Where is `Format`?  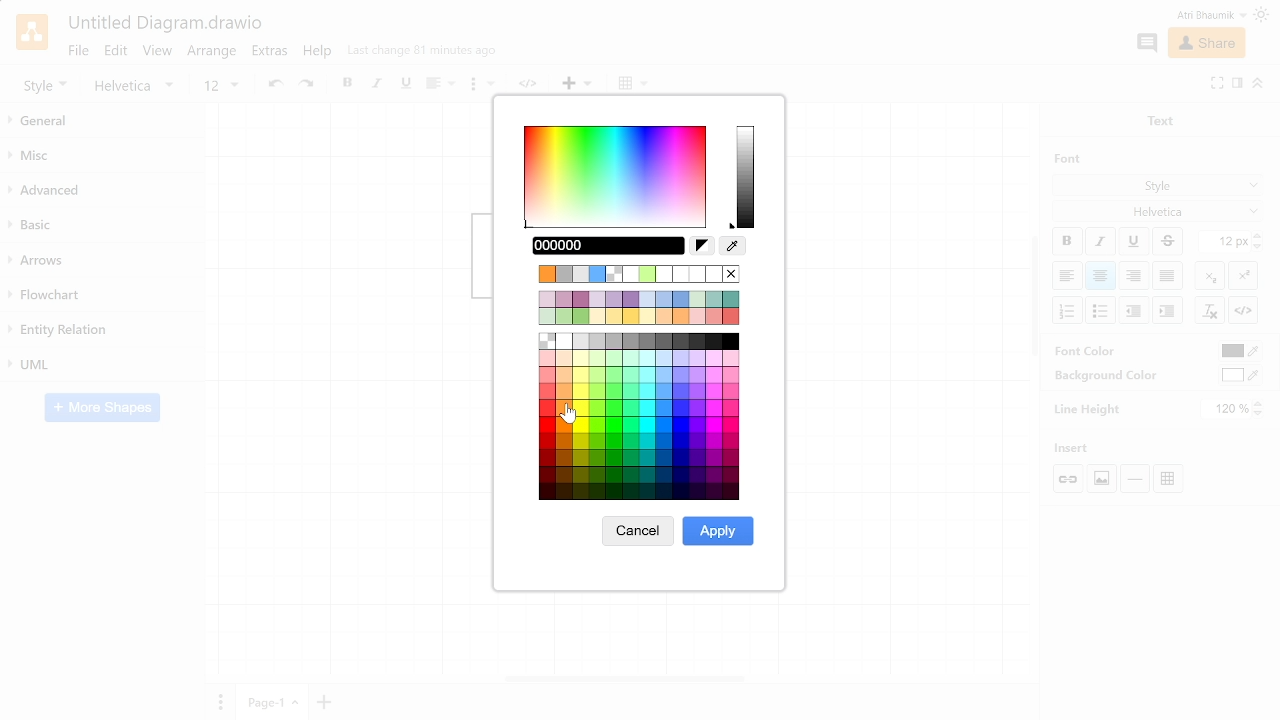
Format is located at coordinates (1237, 85).